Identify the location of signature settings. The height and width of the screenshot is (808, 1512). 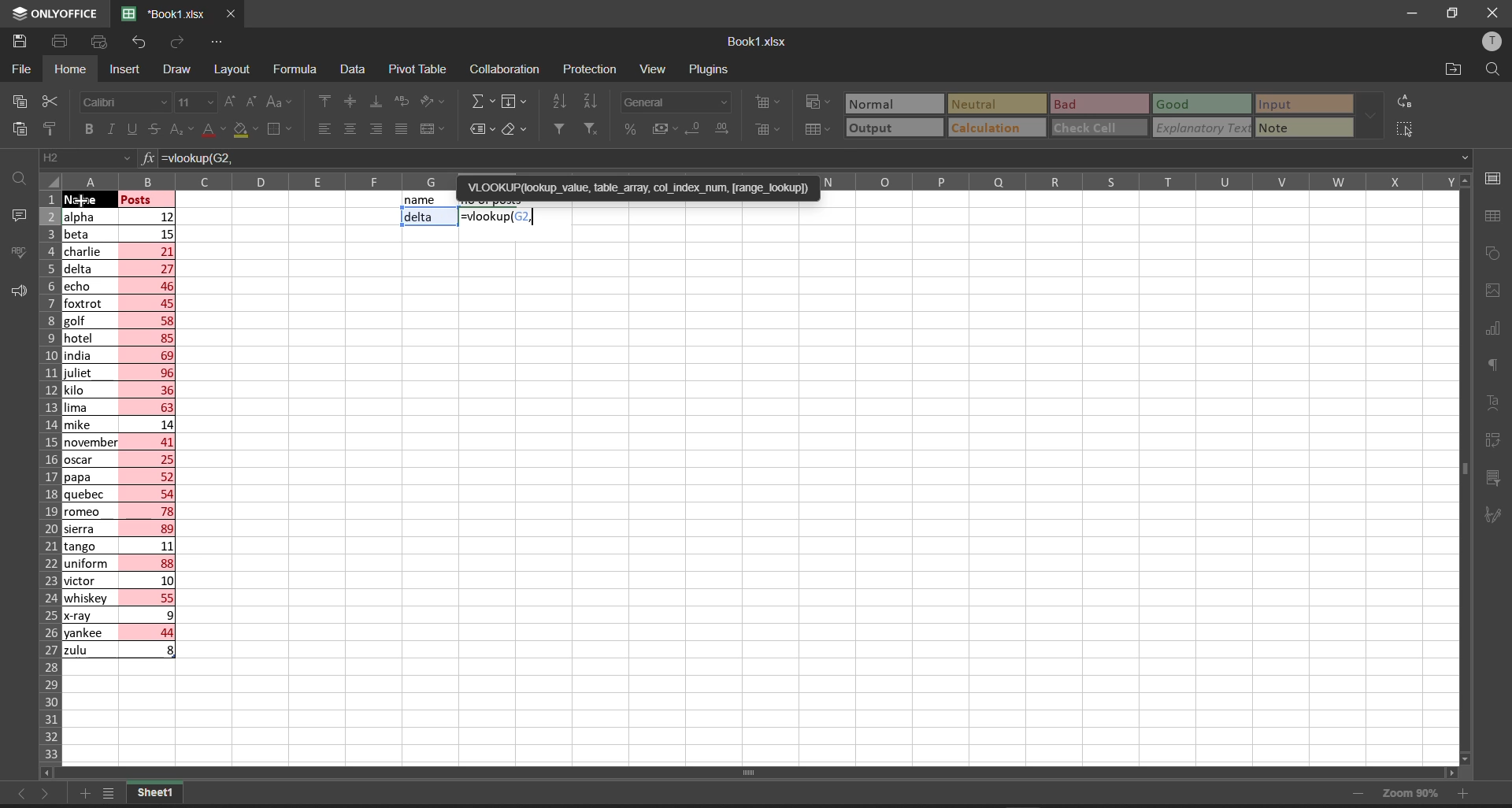
(1498, 513).